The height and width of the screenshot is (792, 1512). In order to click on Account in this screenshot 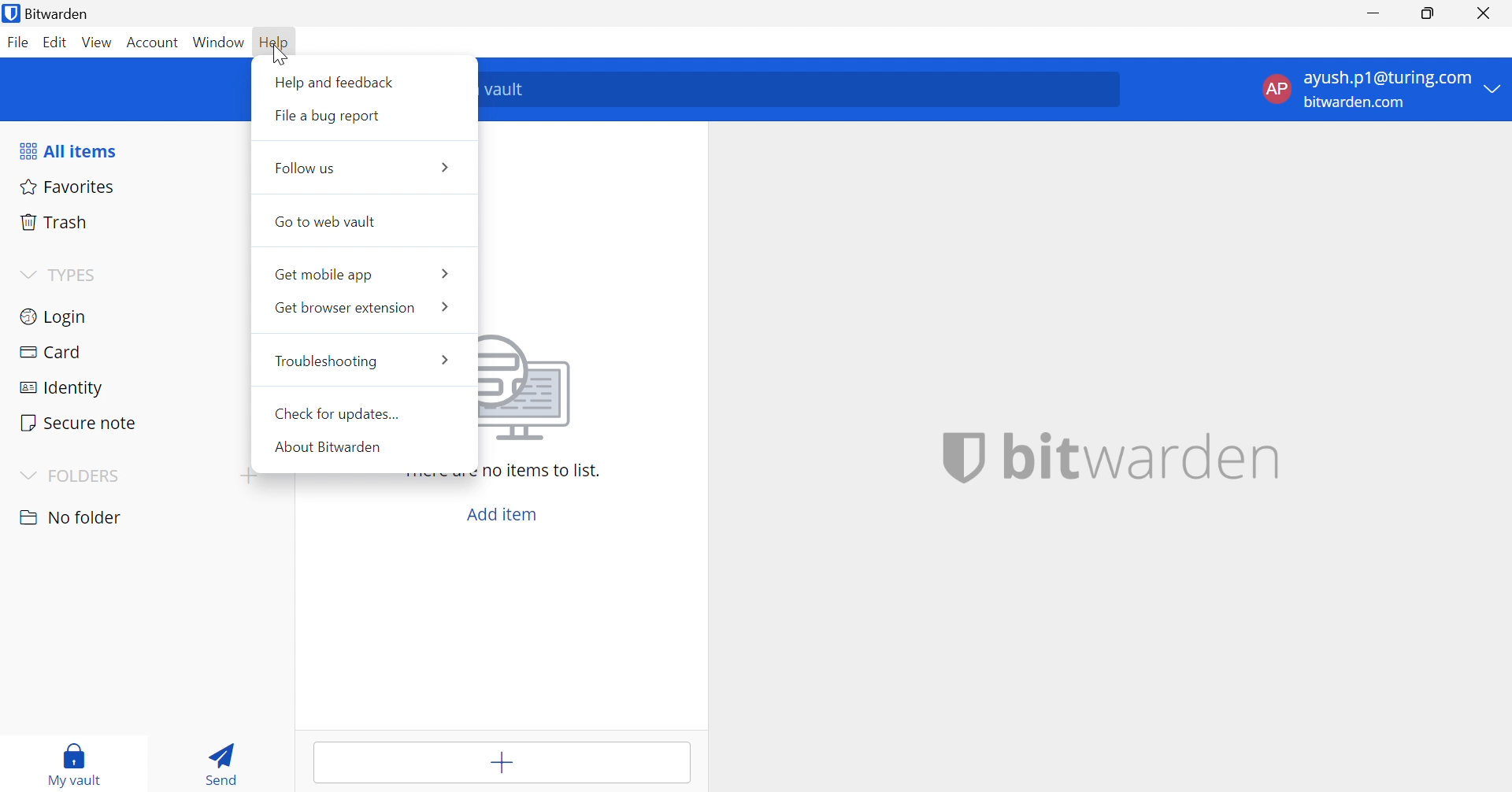, I will do `click(153, 44)`.